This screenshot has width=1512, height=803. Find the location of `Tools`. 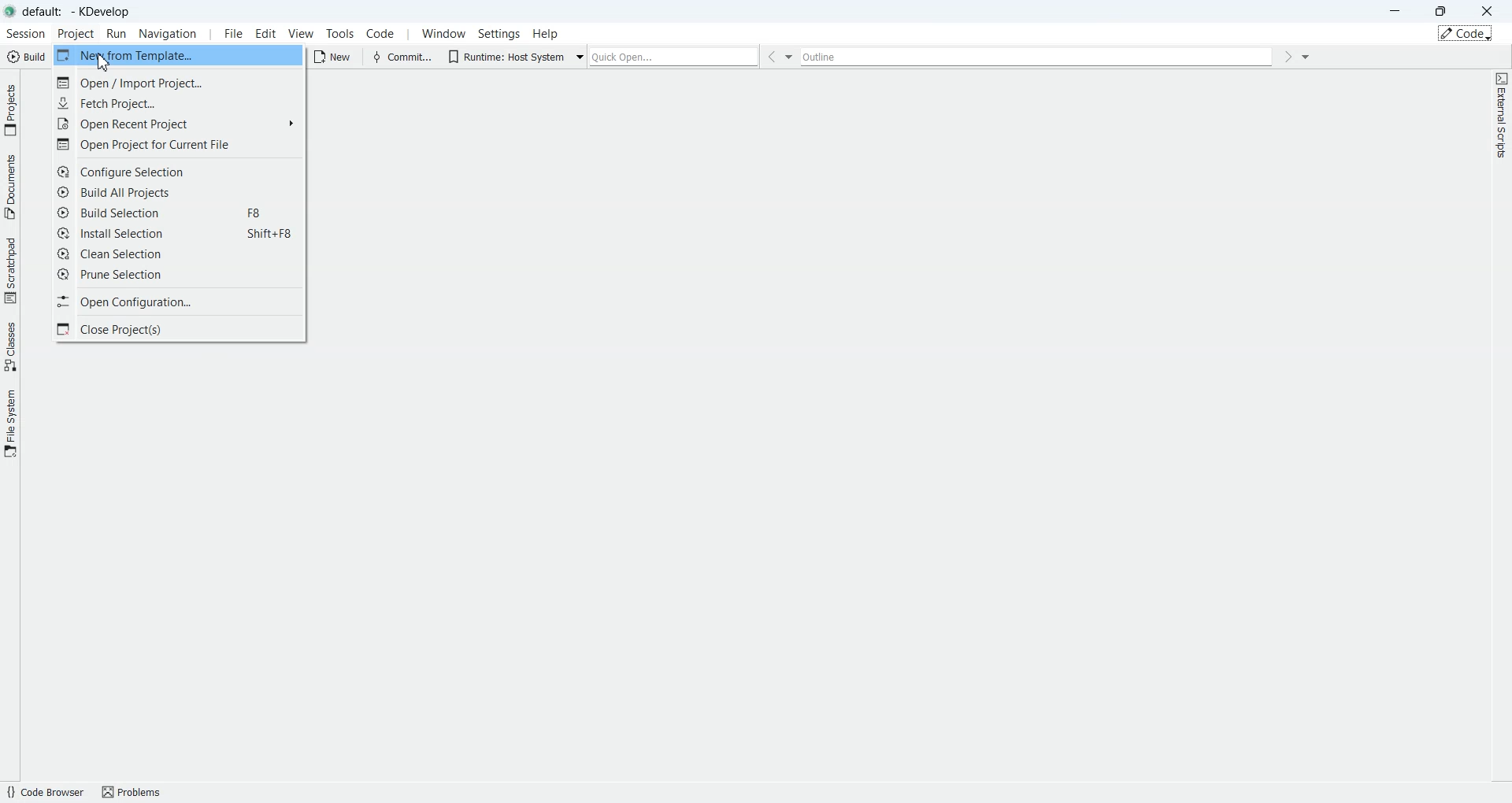

Tools is located at coordinates (339, 34).